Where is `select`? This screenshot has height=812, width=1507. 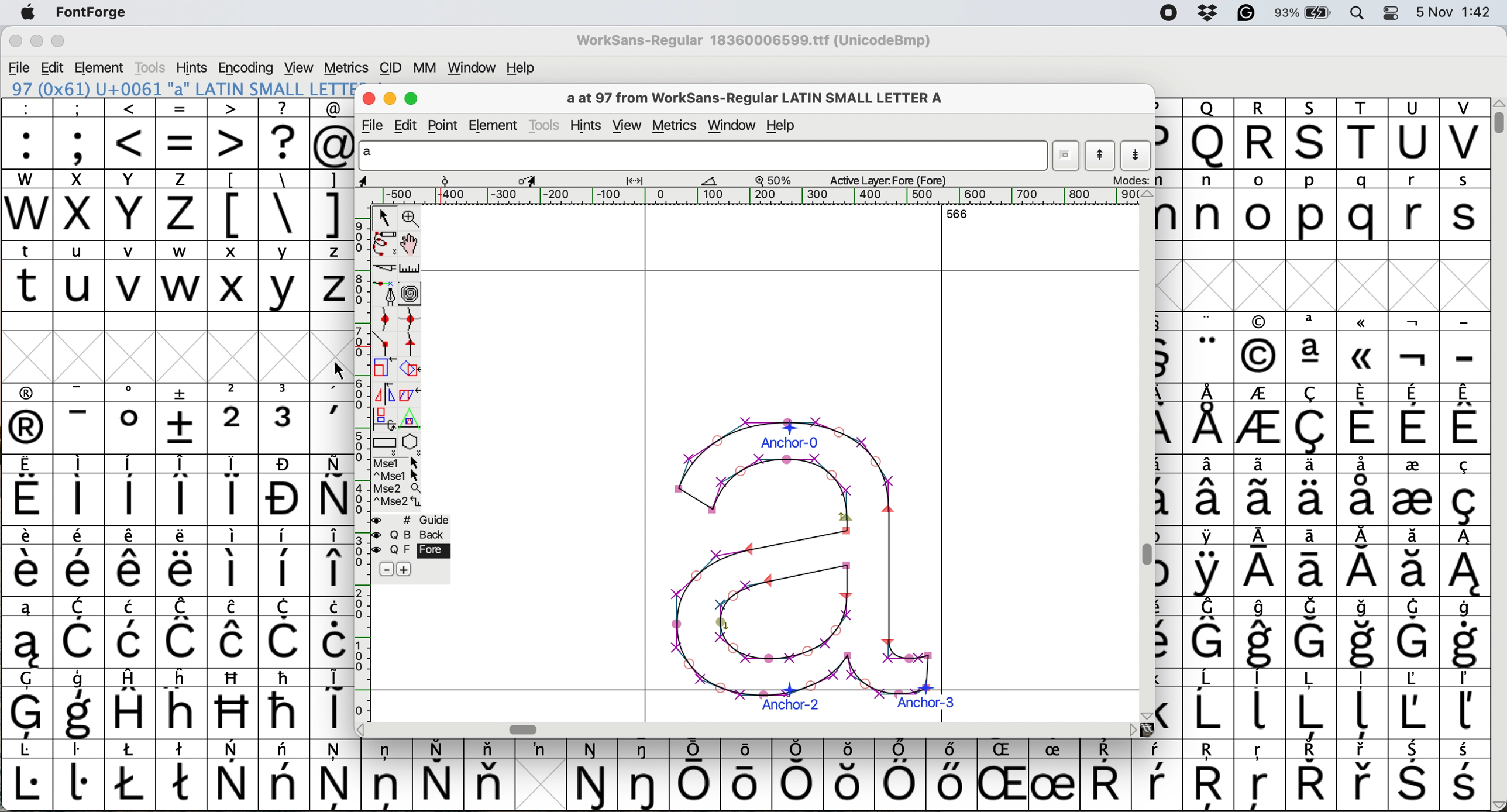 select is located at coordinates (384, 218).